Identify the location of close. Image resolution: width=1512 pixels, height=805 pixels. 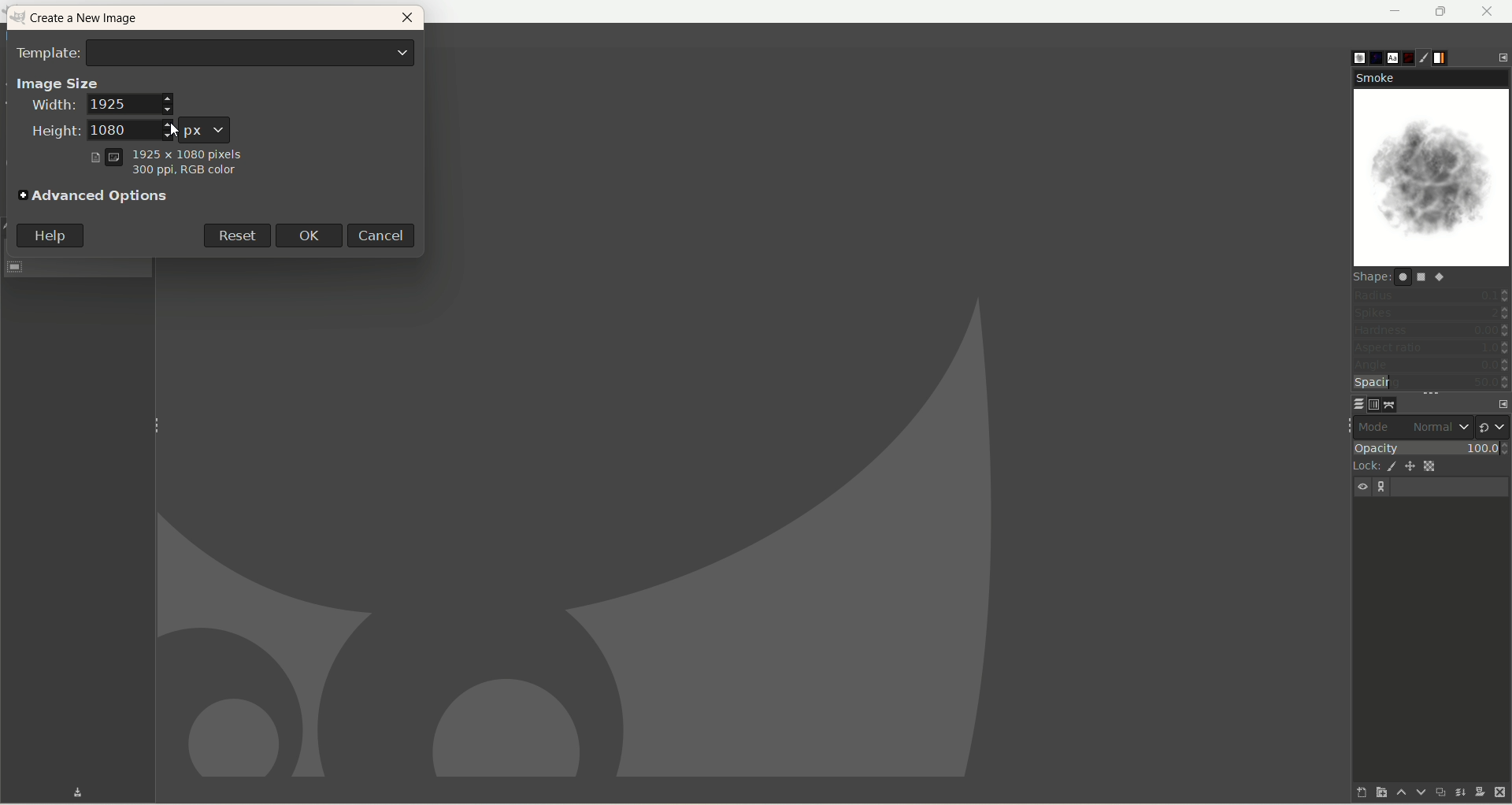
(1488, 11).